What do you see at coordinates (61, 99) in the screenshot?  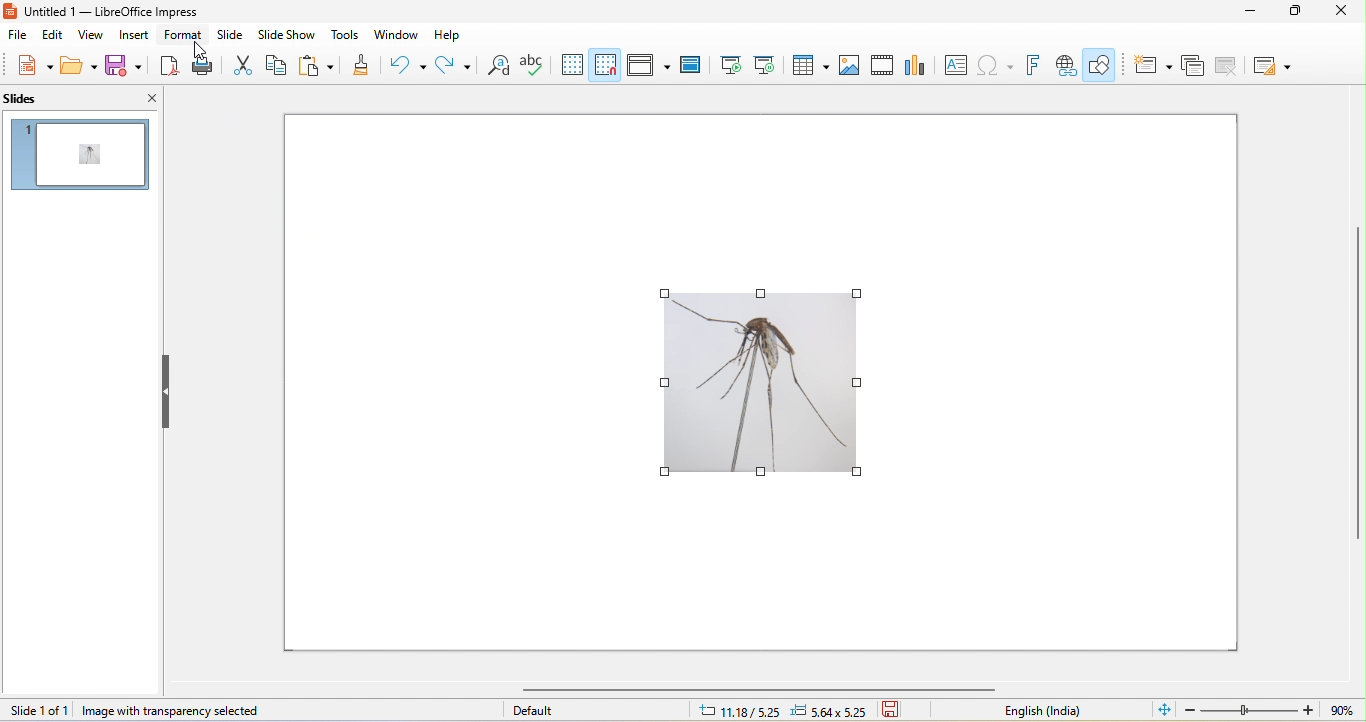 I see `slides` at bounding box center [61, 99].